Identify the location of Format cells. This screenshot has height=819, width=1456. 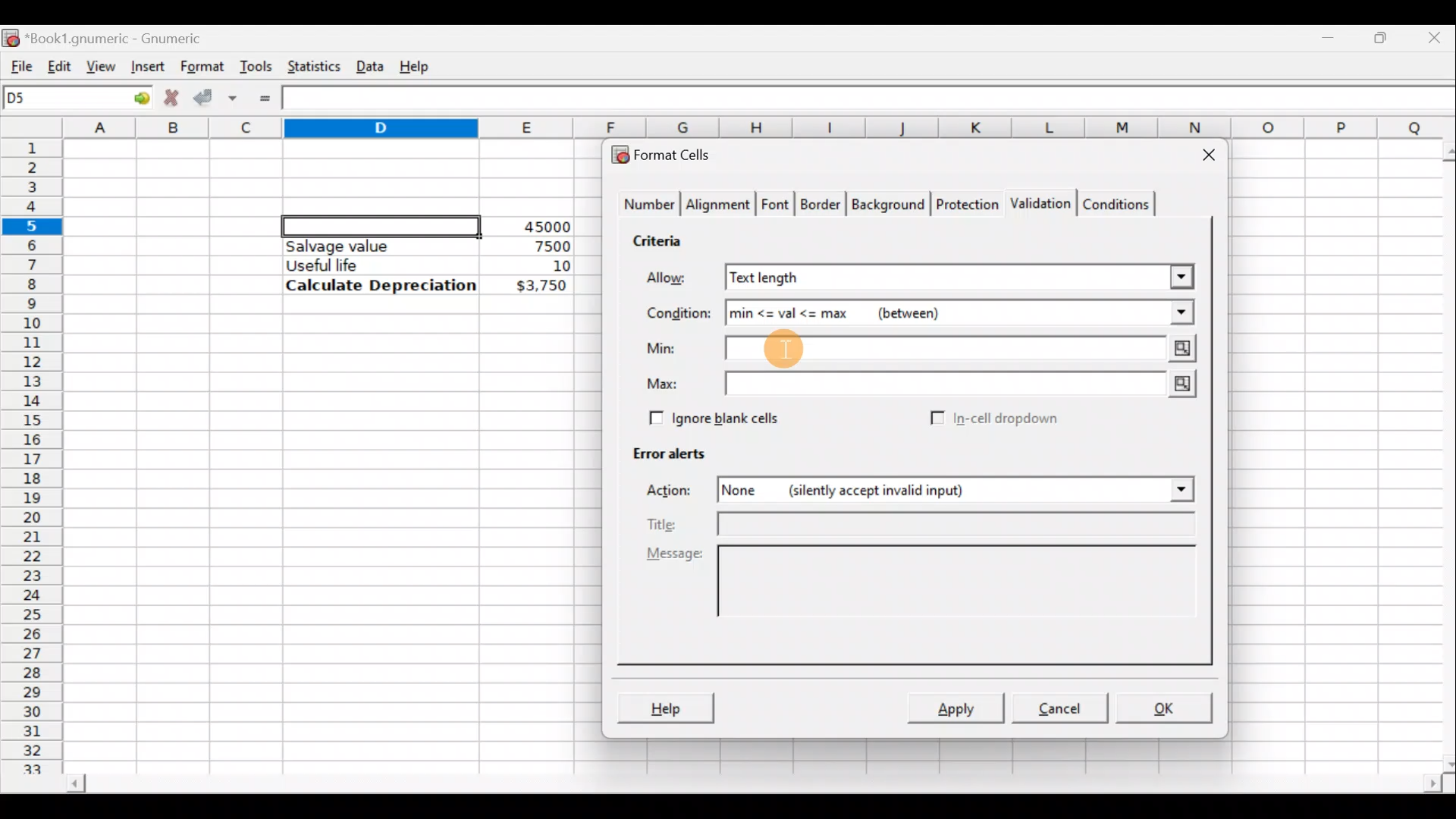
(670, 152).